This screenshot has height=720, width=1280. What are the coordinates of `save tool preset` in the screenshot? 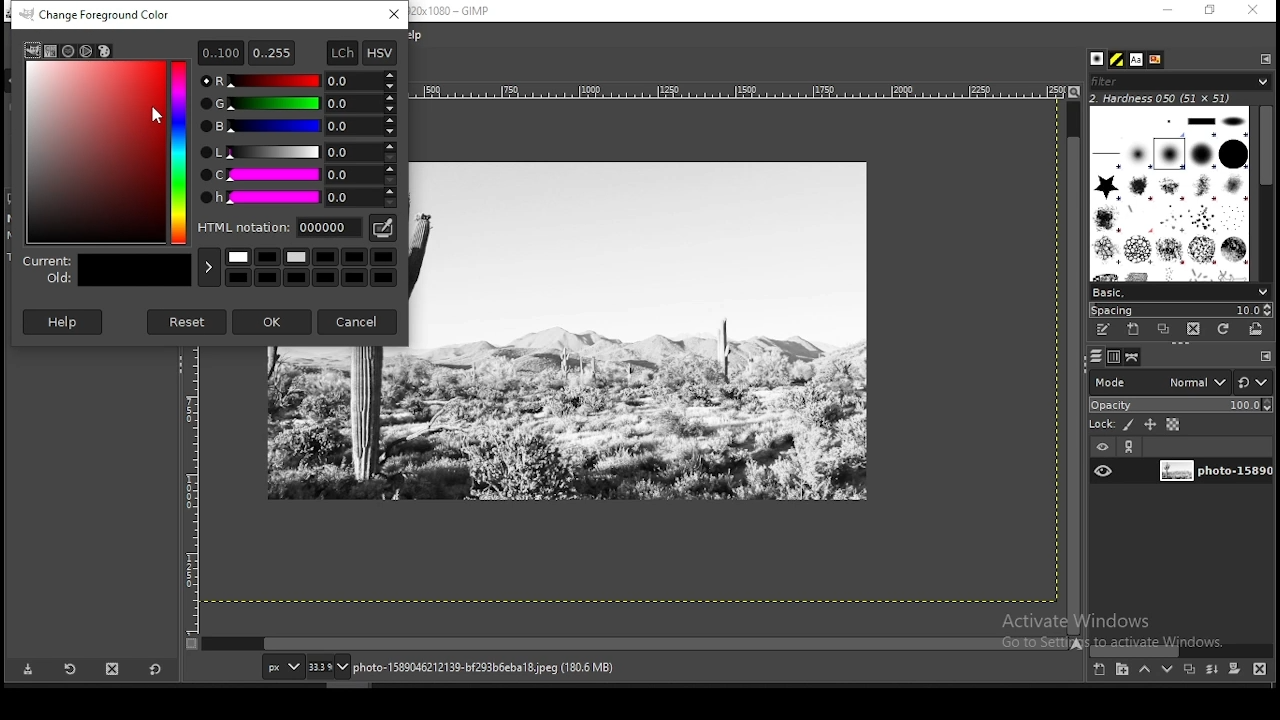 It's located at (26, 670).